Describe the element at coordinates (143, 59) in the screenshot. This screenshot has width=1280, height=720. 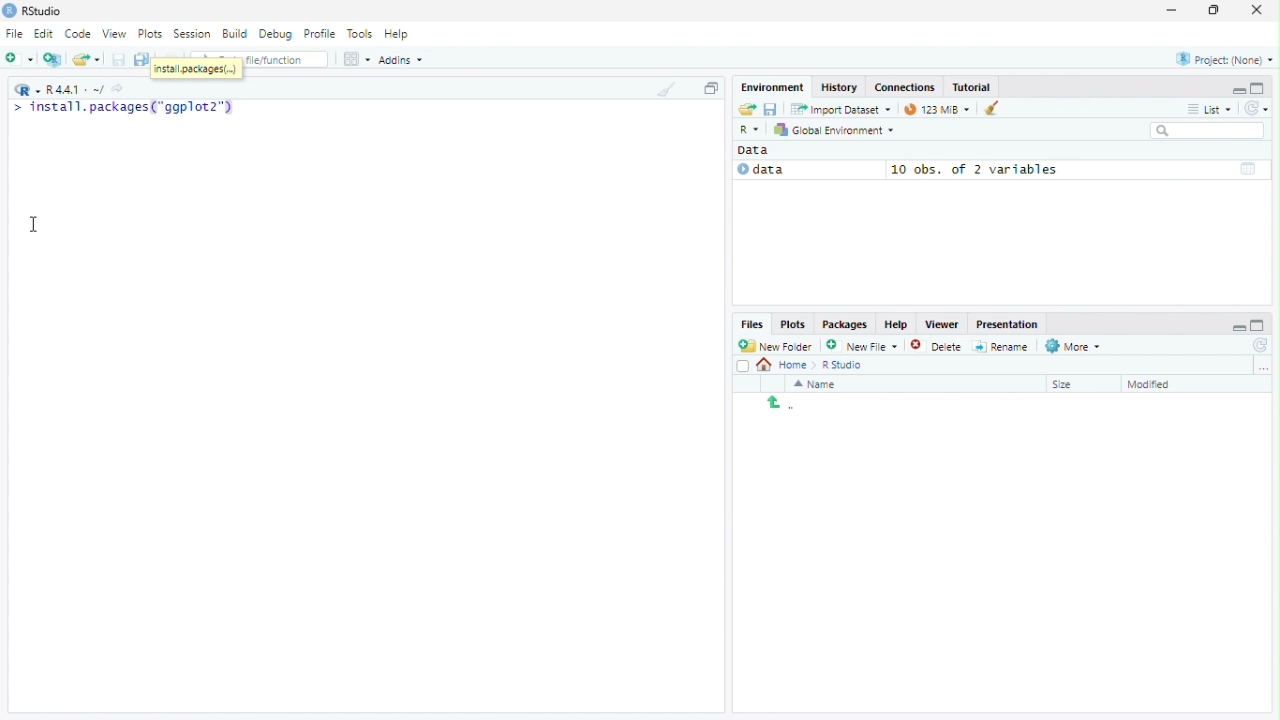
I see `save all open documents` at that location.